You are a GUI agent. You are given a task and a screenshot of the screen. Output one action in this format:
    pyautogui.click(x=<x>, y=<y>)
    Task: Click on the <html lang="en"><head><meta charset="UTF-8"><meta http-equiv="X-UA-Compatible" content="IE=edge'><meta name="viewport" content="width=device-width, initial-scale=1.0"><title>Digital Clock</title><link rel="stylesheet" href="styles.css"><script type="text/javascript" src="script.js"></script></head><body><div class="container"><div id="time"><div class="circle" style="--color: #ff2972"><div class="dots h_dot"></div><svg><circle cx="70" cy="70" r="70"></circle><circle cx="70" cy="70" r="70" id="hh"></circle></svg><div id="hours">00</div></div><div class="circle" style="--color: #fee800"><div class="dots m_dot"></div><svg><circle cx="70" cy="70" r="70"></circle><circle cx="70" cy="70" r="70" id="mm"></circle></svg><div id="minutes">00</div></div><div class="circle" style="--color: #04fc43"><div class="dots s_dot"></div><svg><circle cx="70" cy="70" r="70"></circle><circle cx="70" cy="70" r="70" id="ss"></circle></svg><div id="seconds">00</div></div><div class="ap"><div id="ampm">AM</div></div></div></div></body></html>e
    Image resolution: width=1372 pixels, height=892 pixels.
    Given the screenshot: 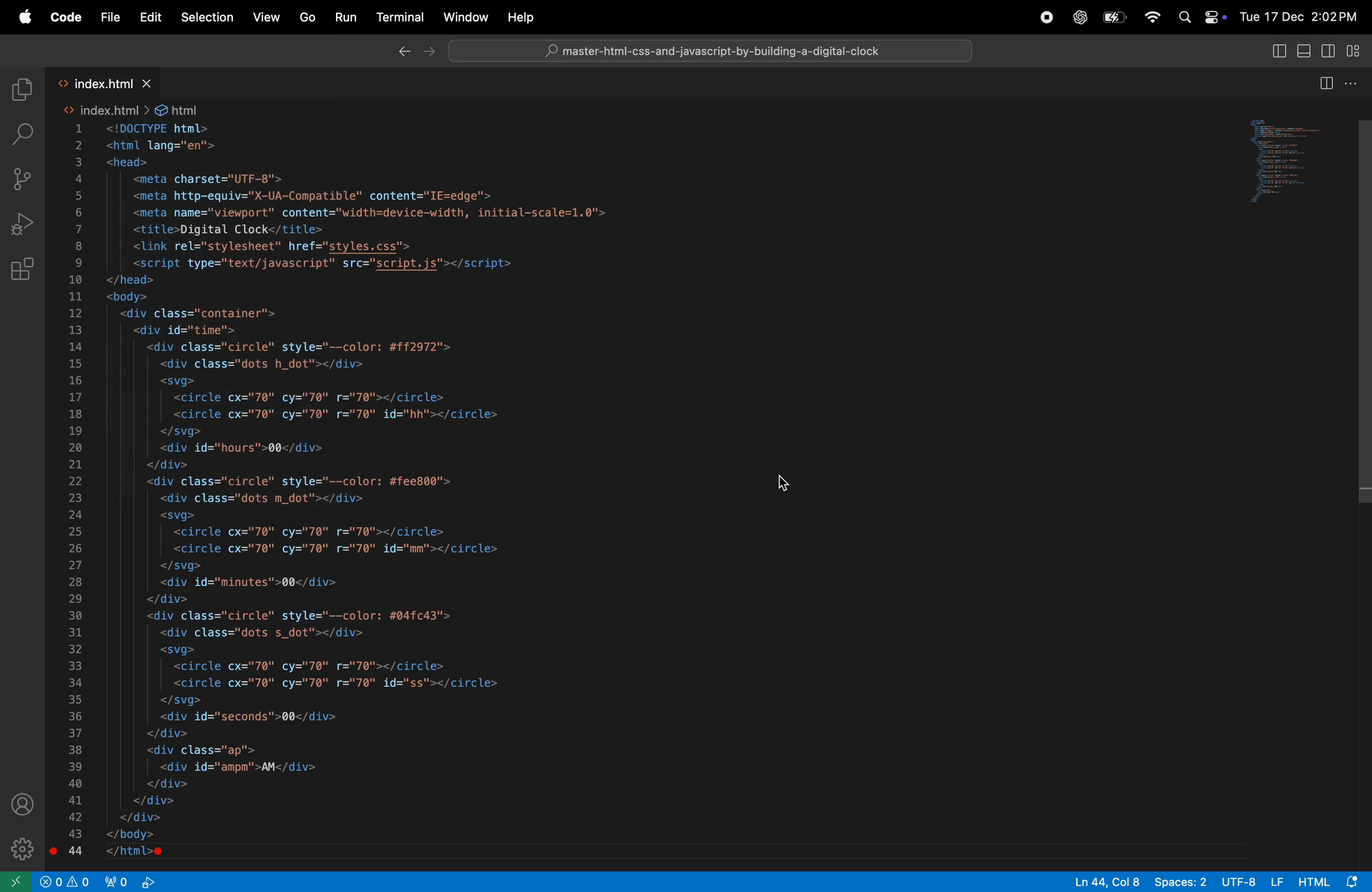 What is the action you would take?
    pyautogui.click(x=358, y=492)
    